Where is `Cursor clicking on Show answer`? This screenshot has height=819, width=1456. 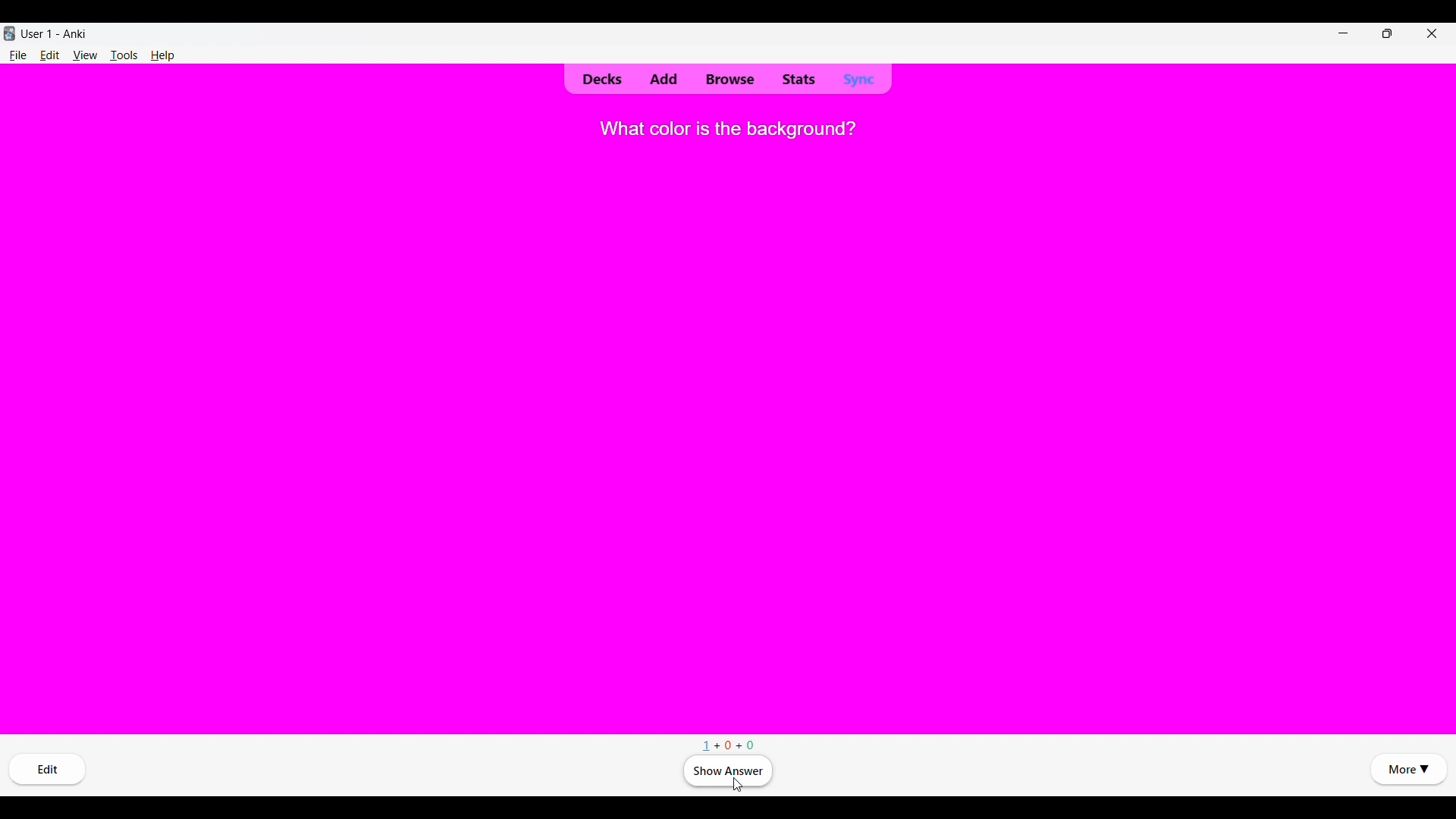
Cursor clicking on Show answer is located at coordinates (738, 786).